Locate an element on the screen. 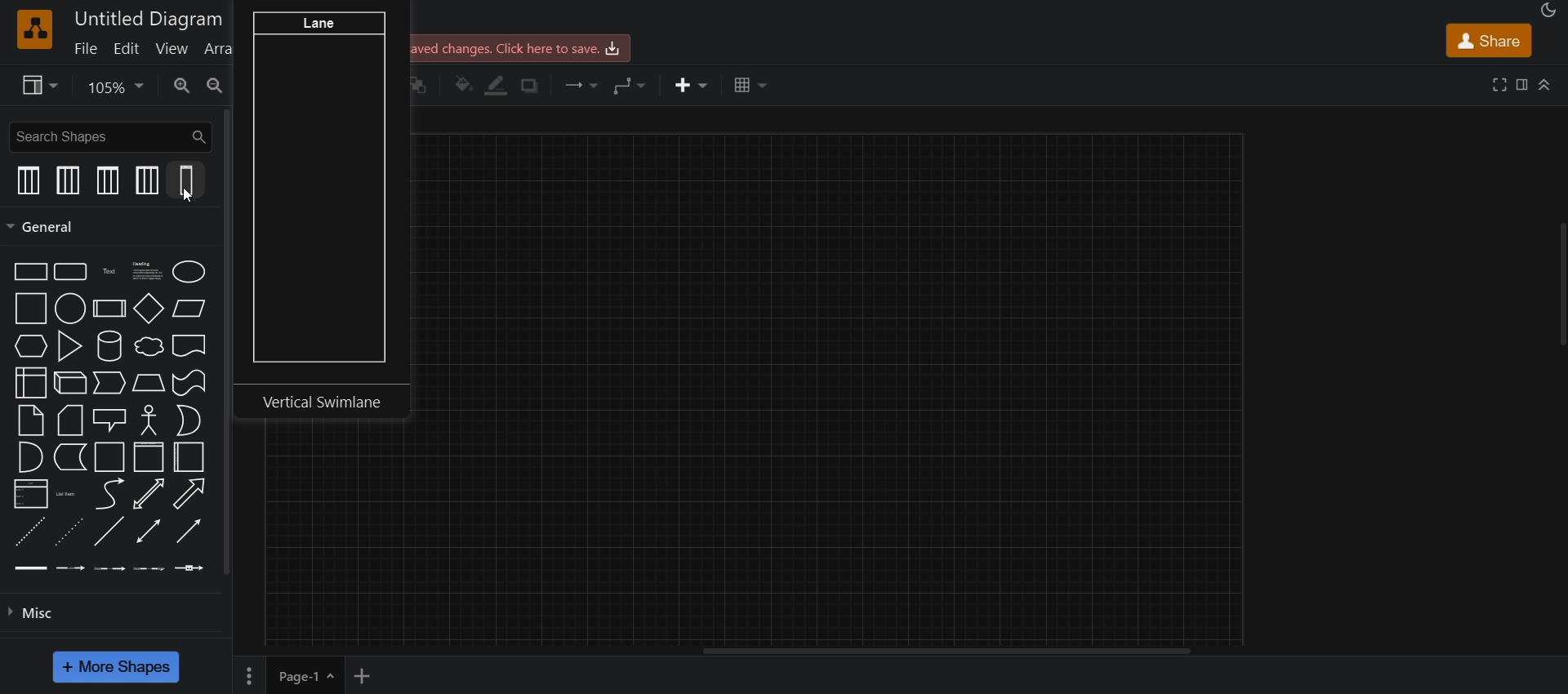 Image resolution: width=1568 pixels, height=694 pixels. add new page is located at coordinates (373, 674).